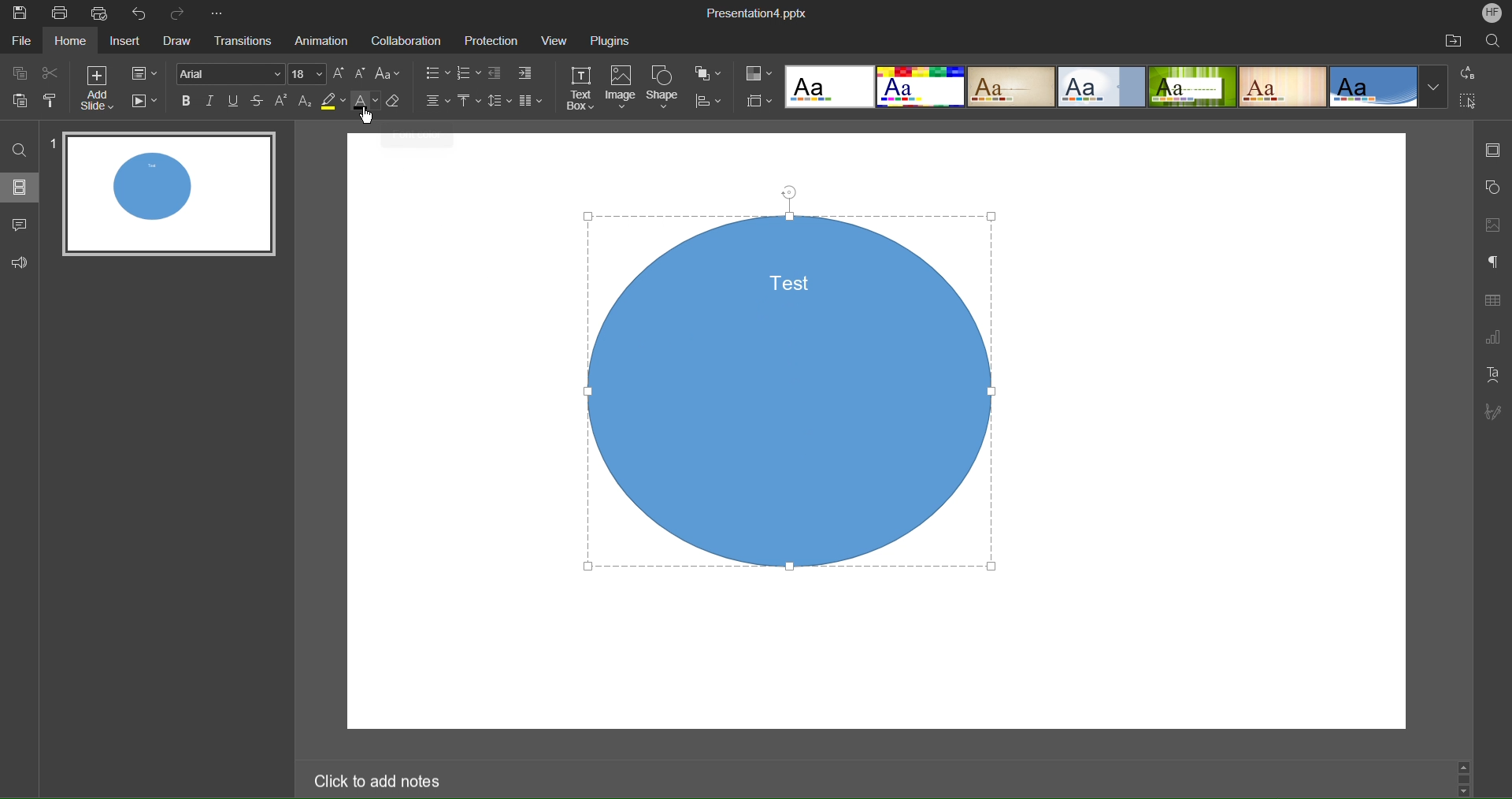  I want to click on Shape Selecte, so click(776, 394).